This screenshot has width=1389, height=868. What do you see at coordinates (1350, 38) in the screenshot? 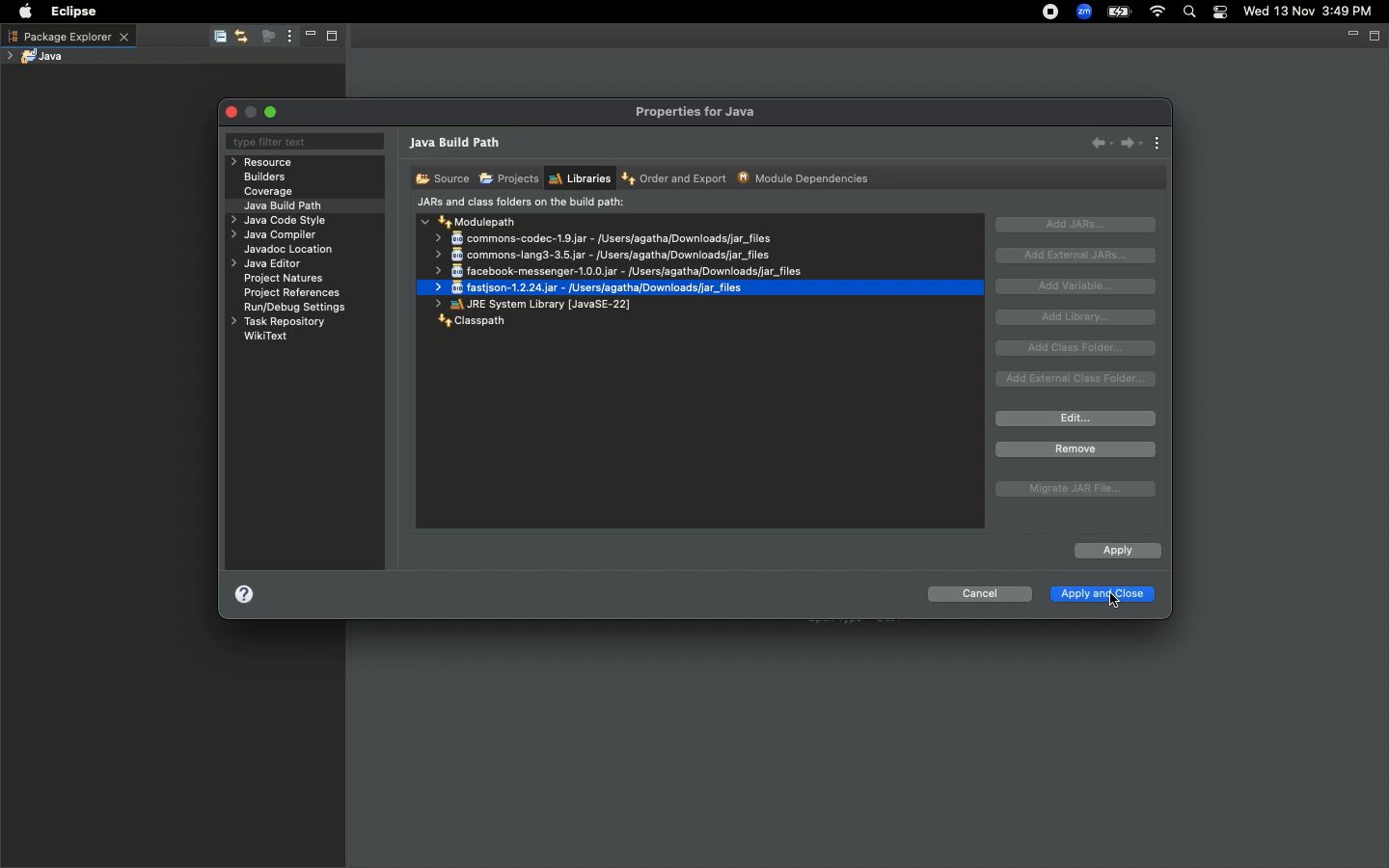
I see `Minimize` at bounding box center [1350, 38].